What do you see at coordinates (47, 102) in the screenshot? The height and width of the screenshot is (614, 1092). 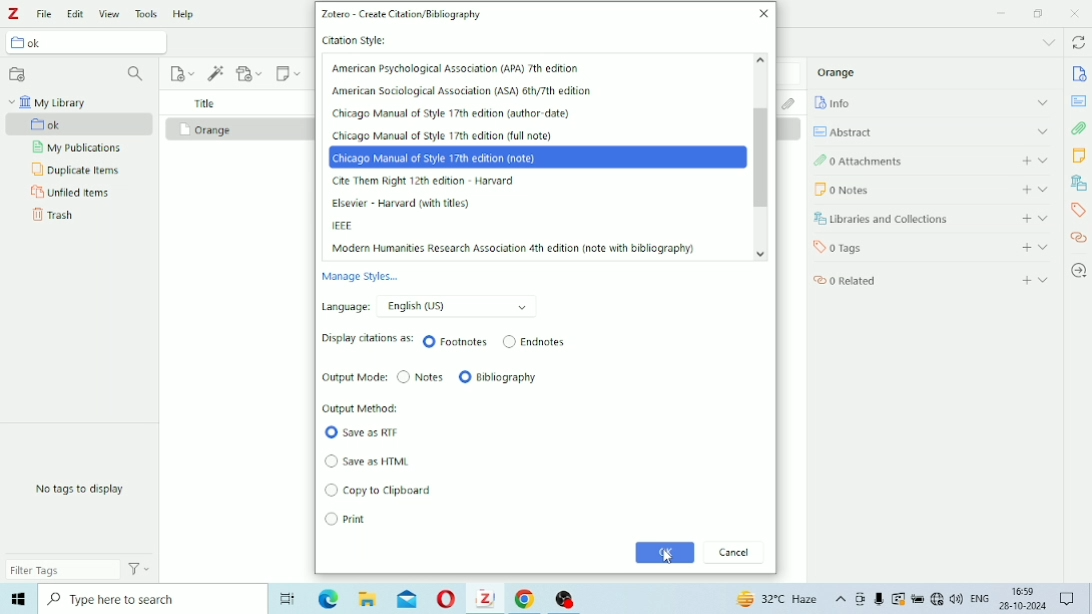 I see `My Library` at bounding box center [47, 102].